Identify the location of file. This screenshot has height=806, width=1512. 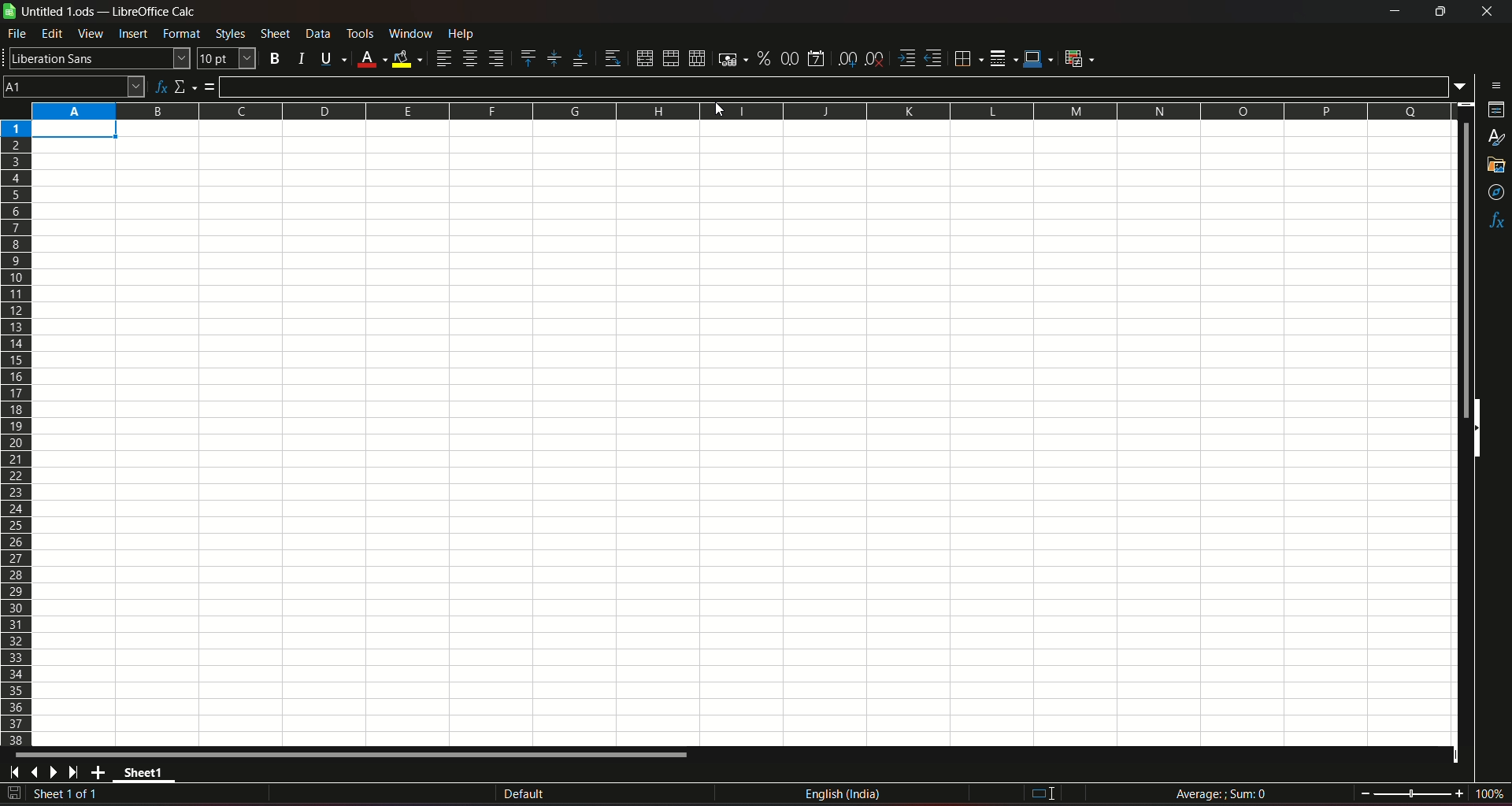
(18, 36).